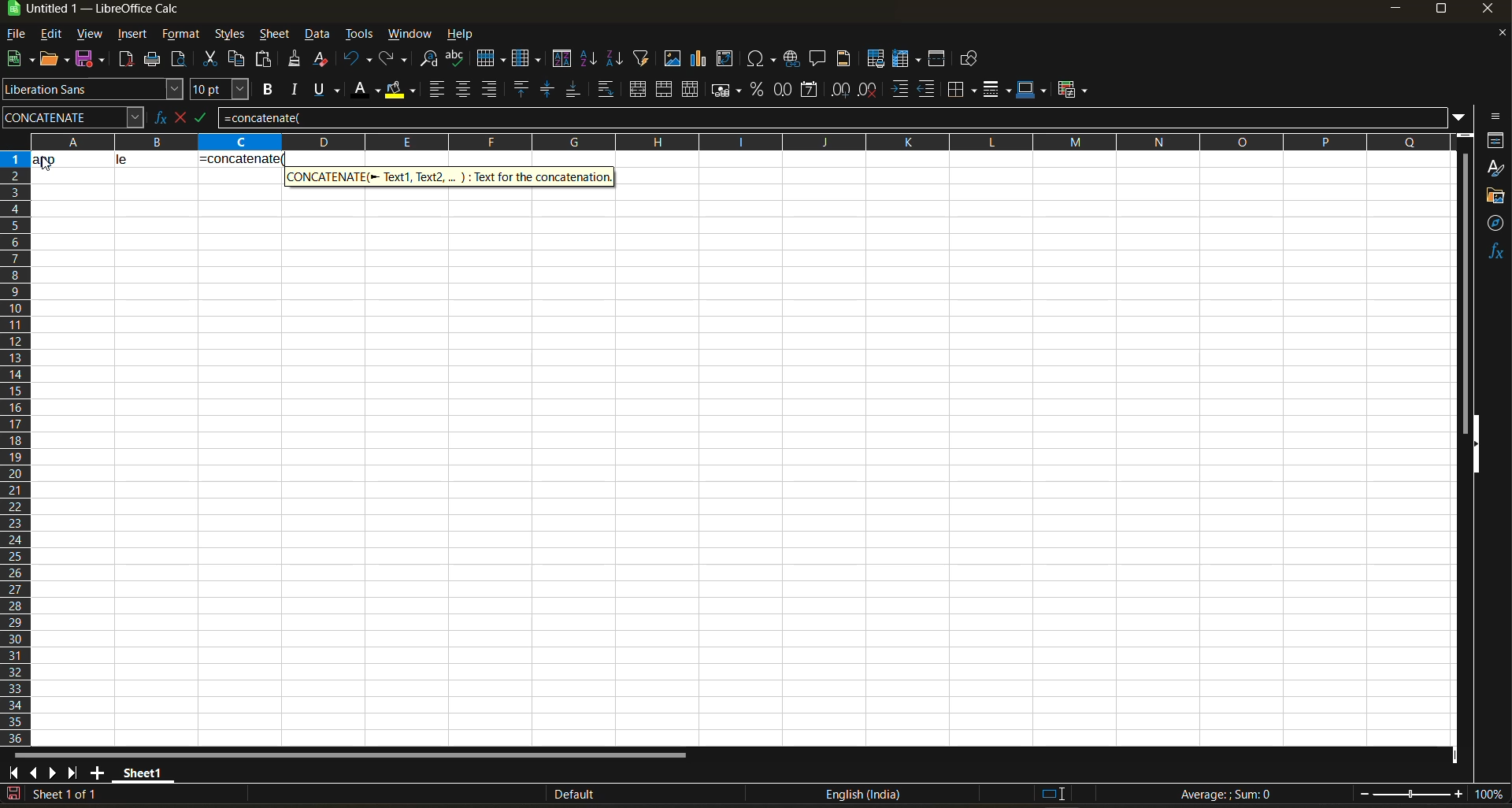  Describe the element at coordinates (1496, 37) in the screenshot. I see `close document` at that location.